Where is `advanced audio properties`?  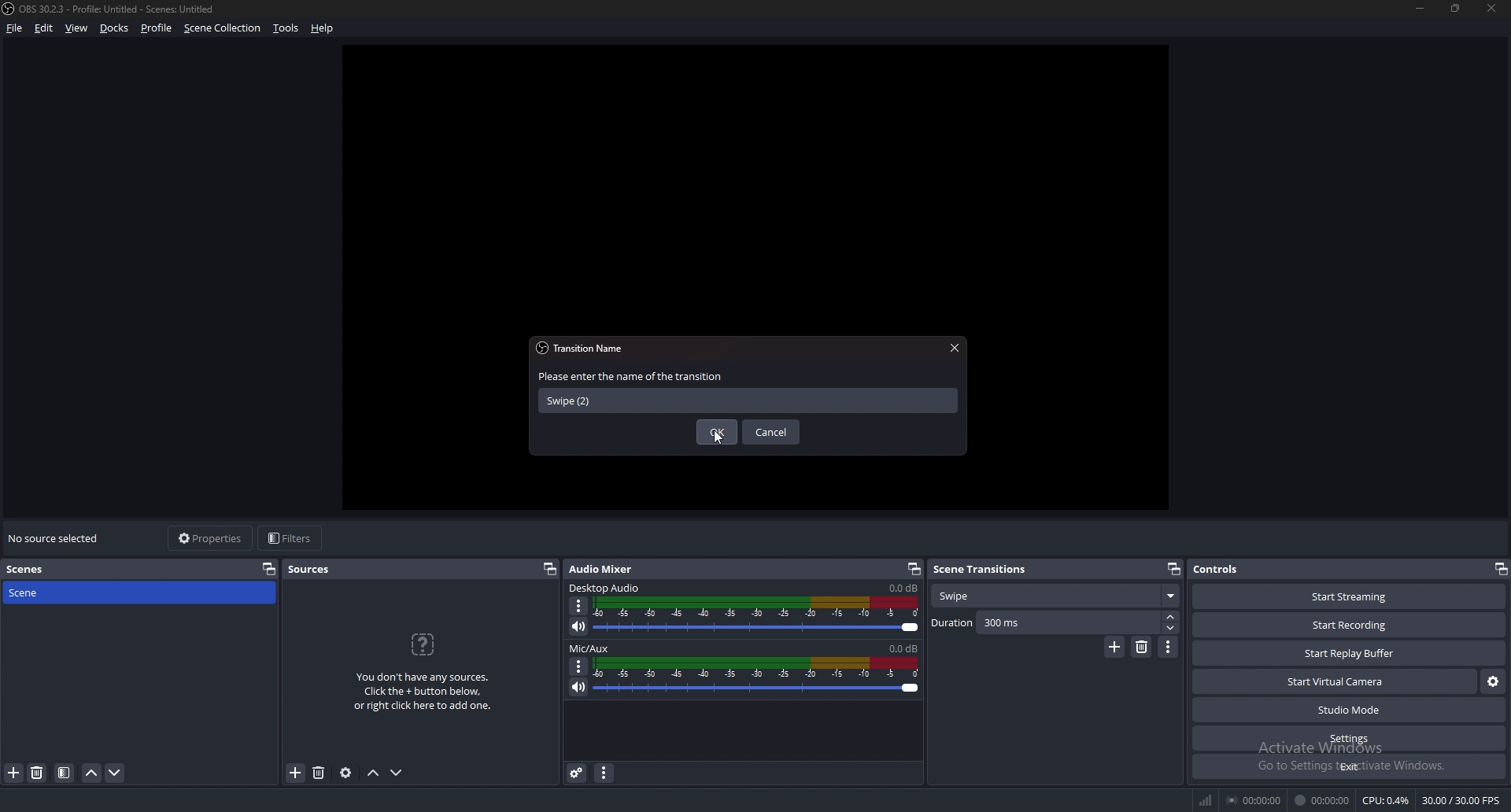 advanced audio properties is located at coordinates (577, 773).